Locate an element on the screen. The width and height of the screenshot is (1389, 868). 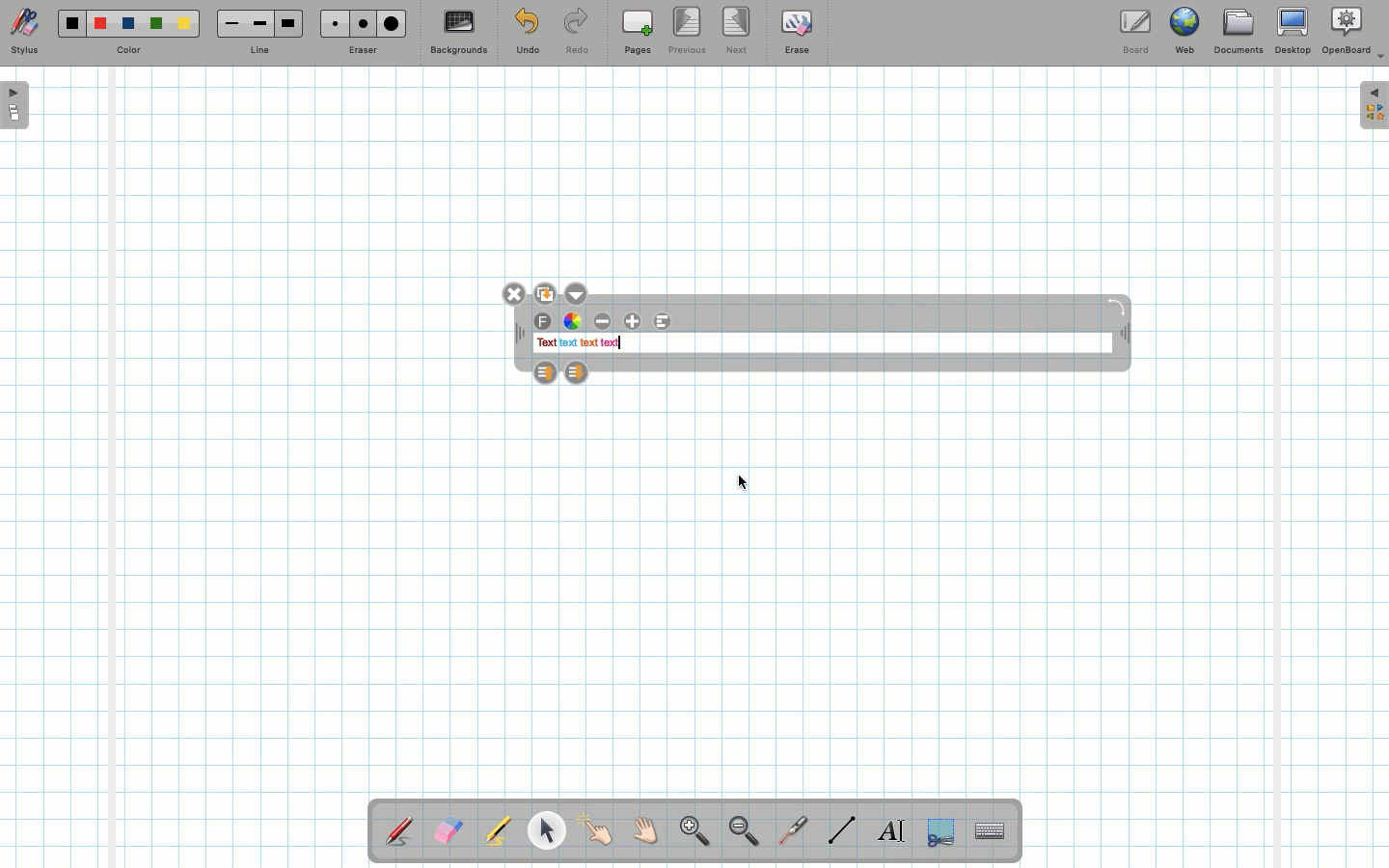
Yellow is located at coordinates (184, 23).